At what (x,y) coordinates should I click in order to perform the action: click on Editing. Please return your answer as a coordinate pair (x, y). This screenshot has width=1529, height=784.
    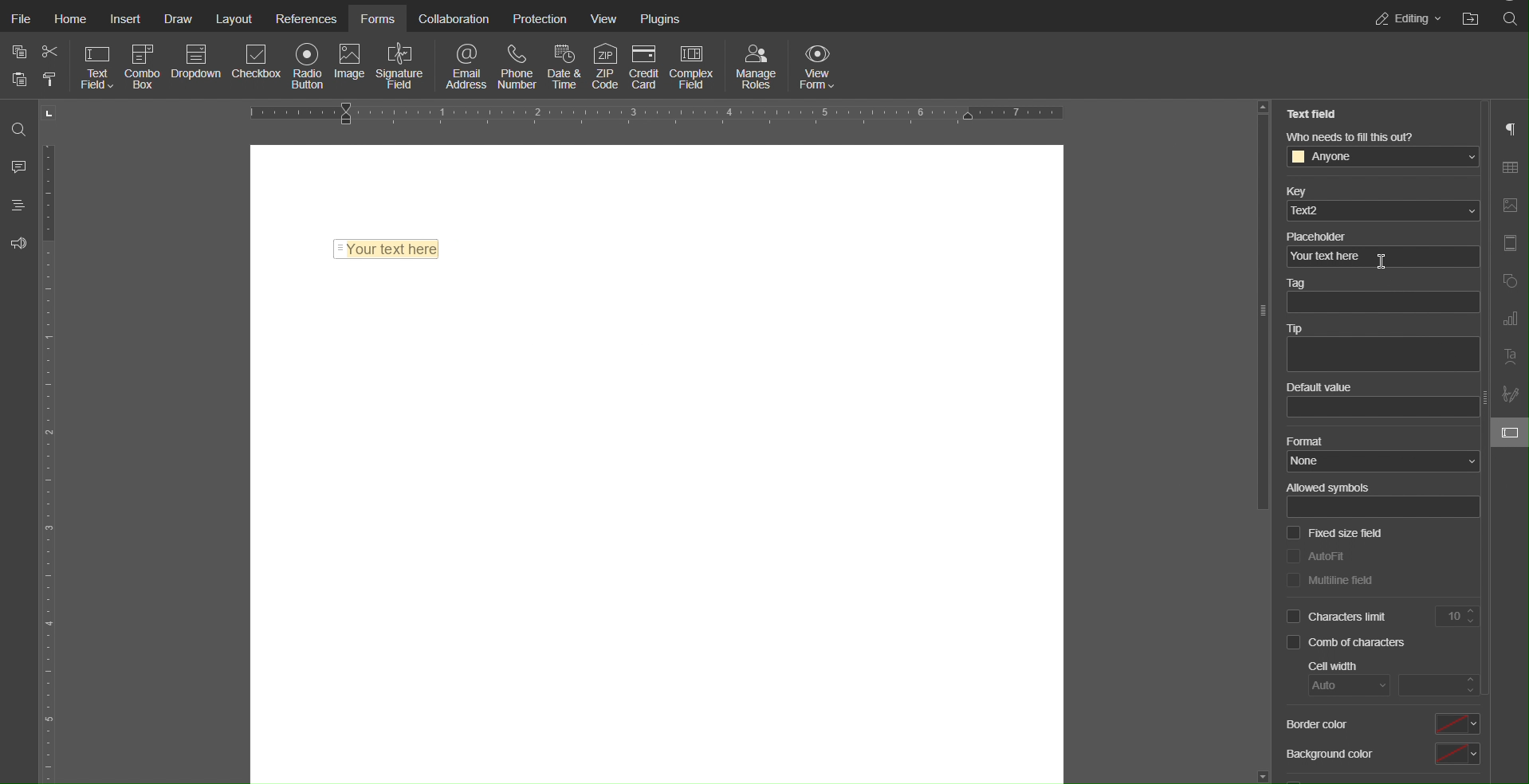
    Looking at the image, I should click on (1408, 17).